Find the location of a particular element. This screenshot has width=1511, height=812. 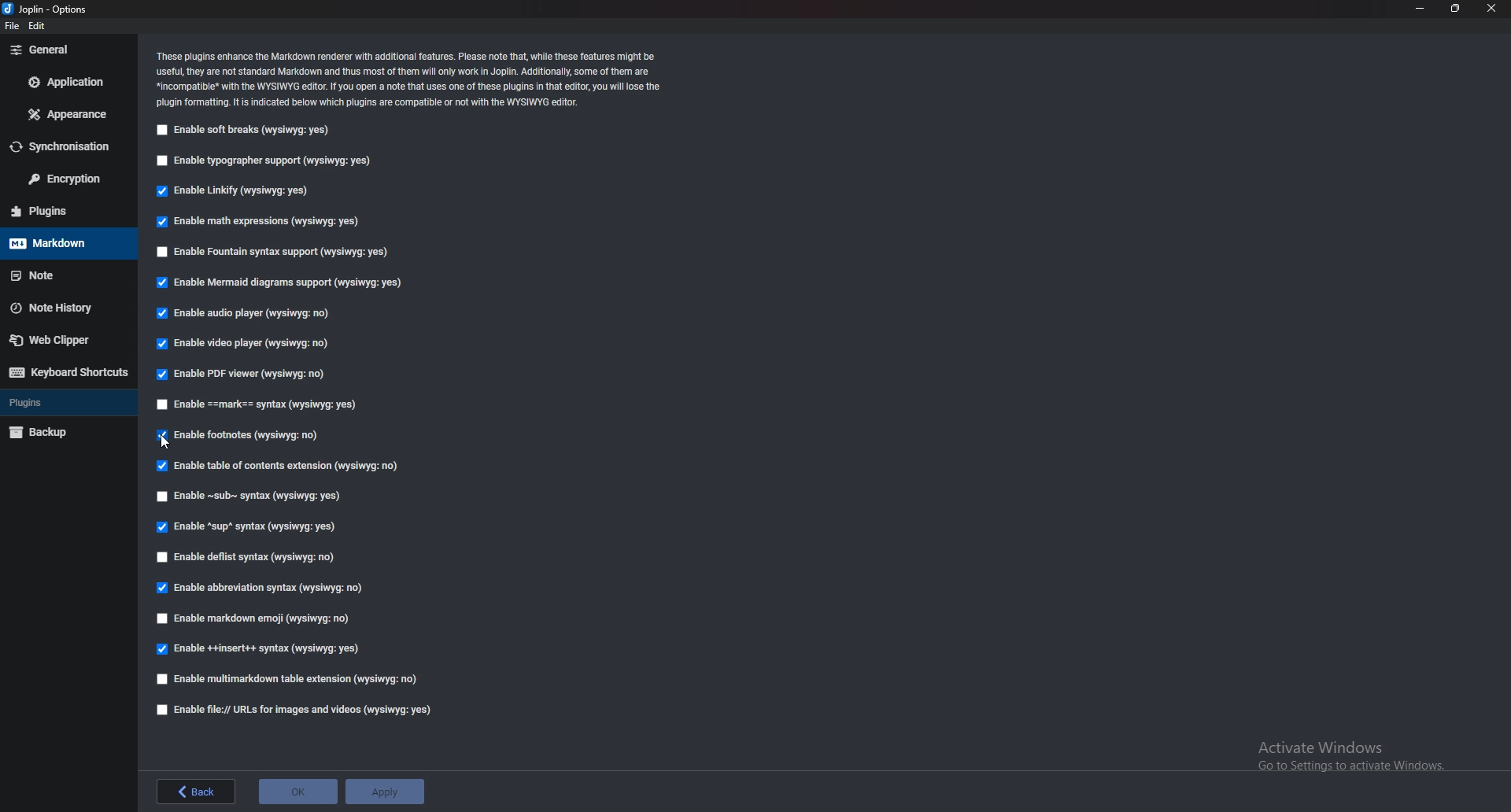

Enable file urls for images and videos is located at coordinates (293, 710).